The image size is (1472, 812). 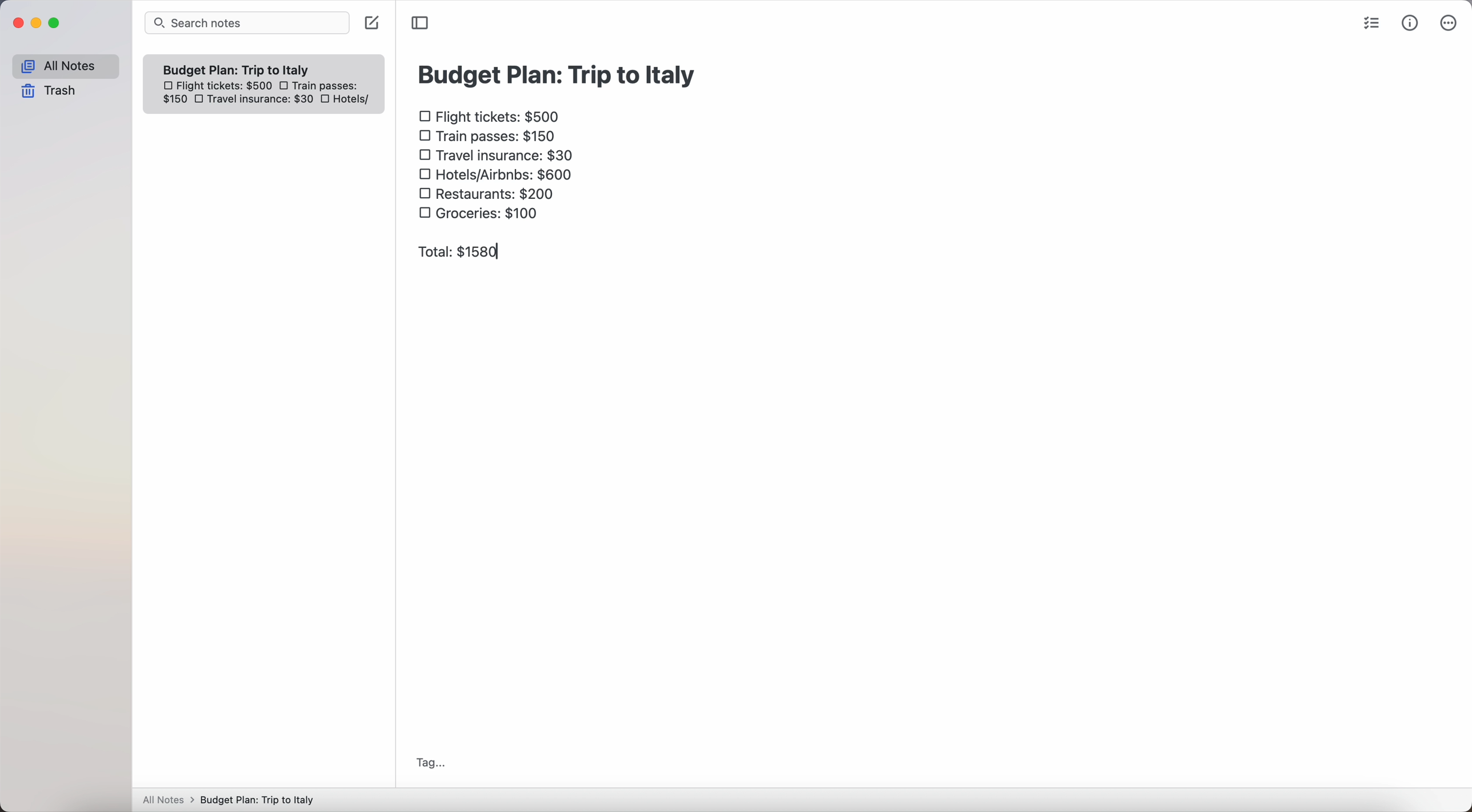 What do you see at coordinates (501, 172) in the screenshot?
I see `hotels/airbnbs: $600 checkbox` at bounding box center [501, 172].